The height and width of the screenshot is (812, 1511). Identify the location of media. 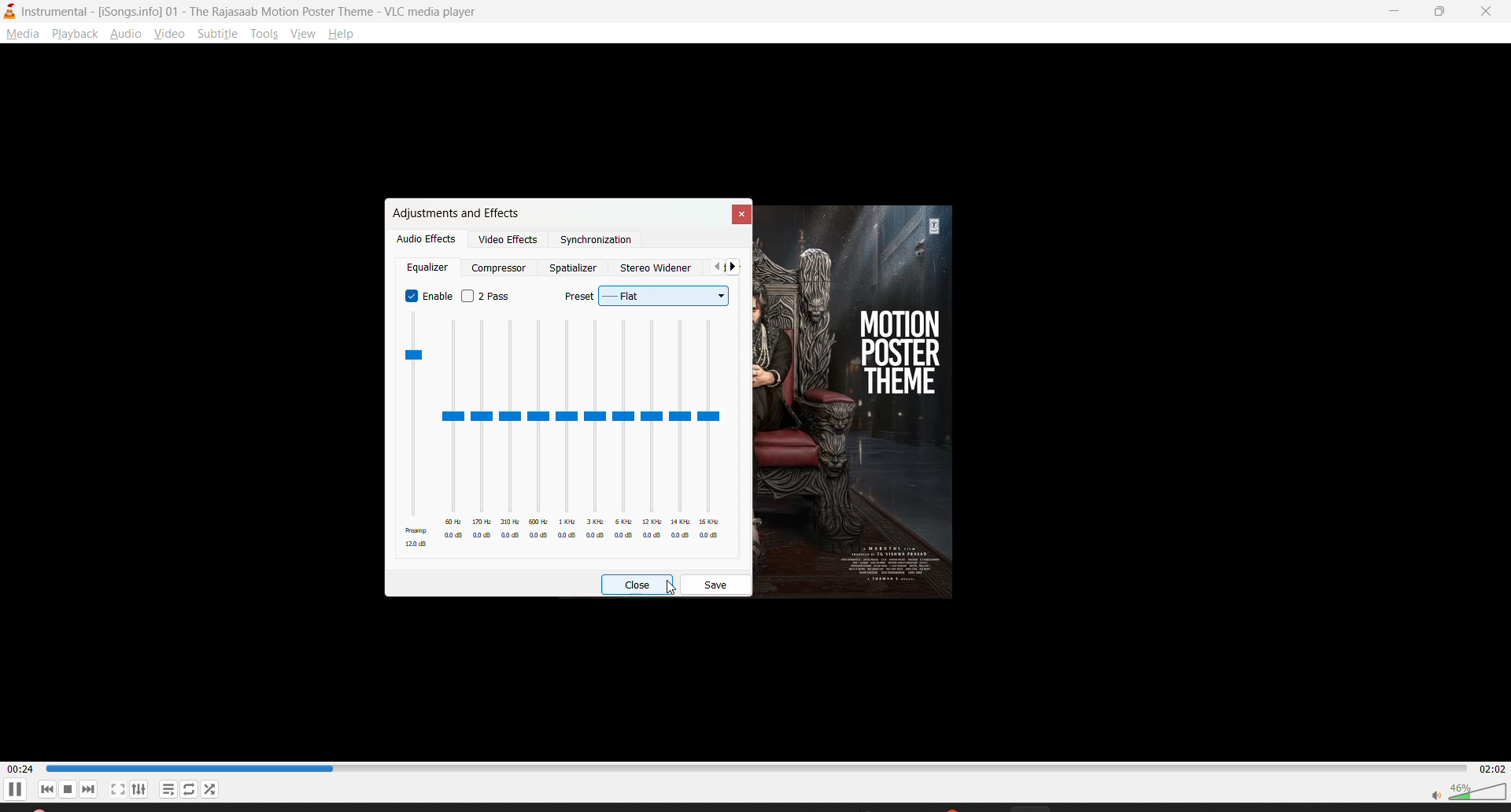
(22, 35).